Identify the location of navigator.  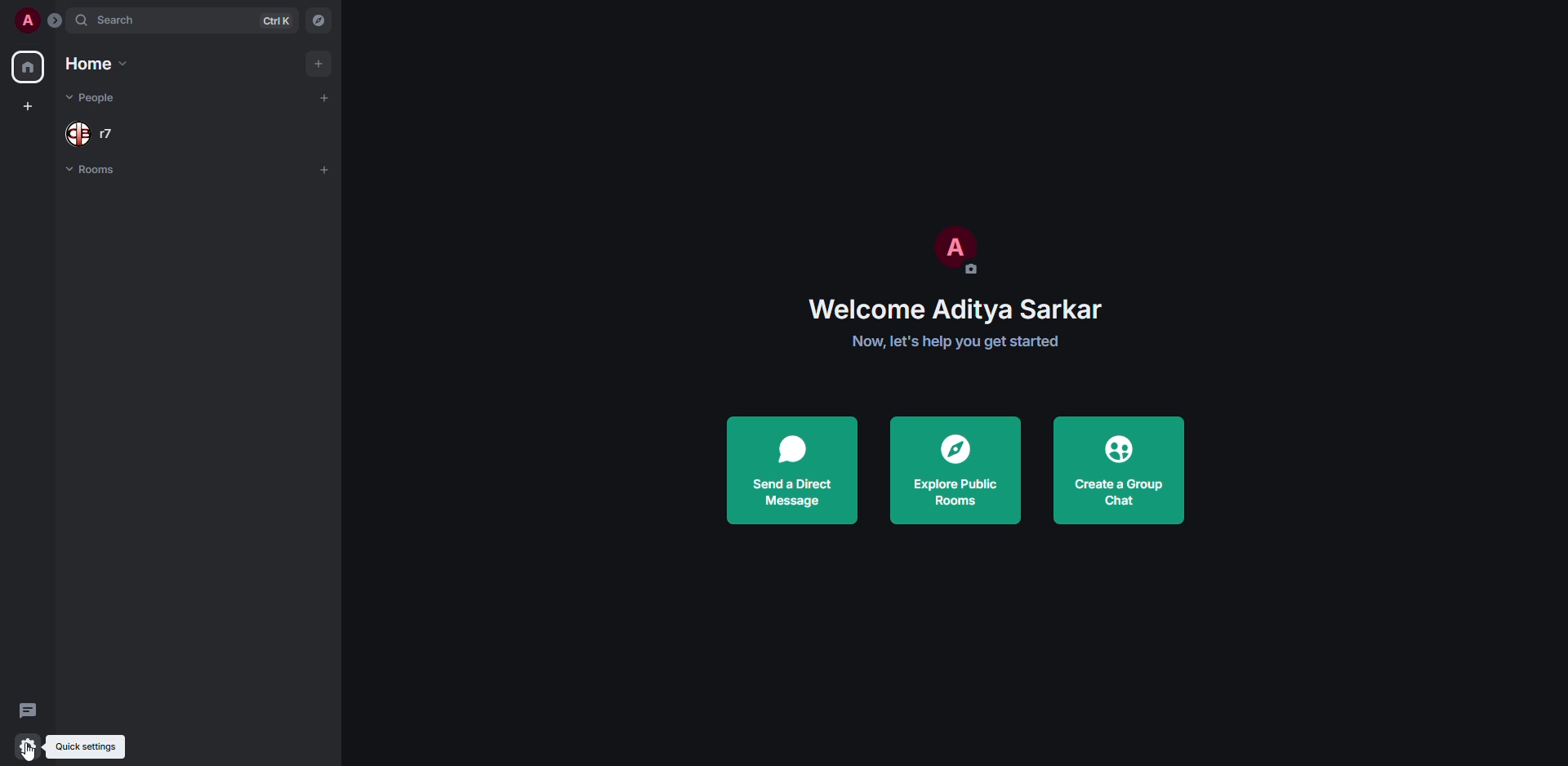
(323, 20).